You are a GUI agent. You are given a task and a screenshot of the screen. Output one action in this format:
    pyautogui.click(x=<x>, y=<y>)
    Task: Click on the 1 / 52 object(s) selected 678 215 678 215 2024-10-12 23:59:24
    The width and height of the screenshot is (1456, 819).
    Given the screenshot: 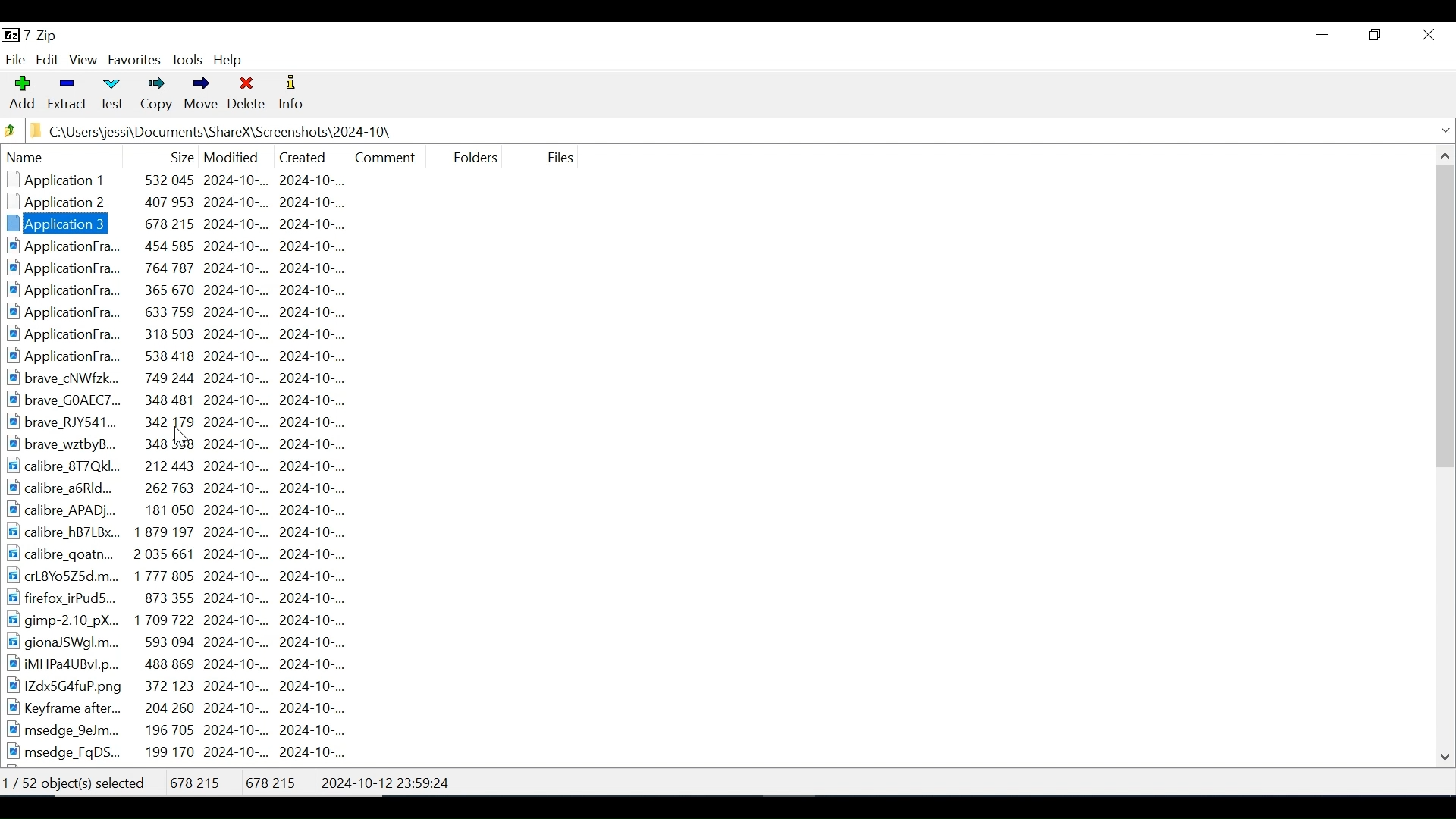 What is the action you would take?
    pyautogui.click(x=237, y=779)
    